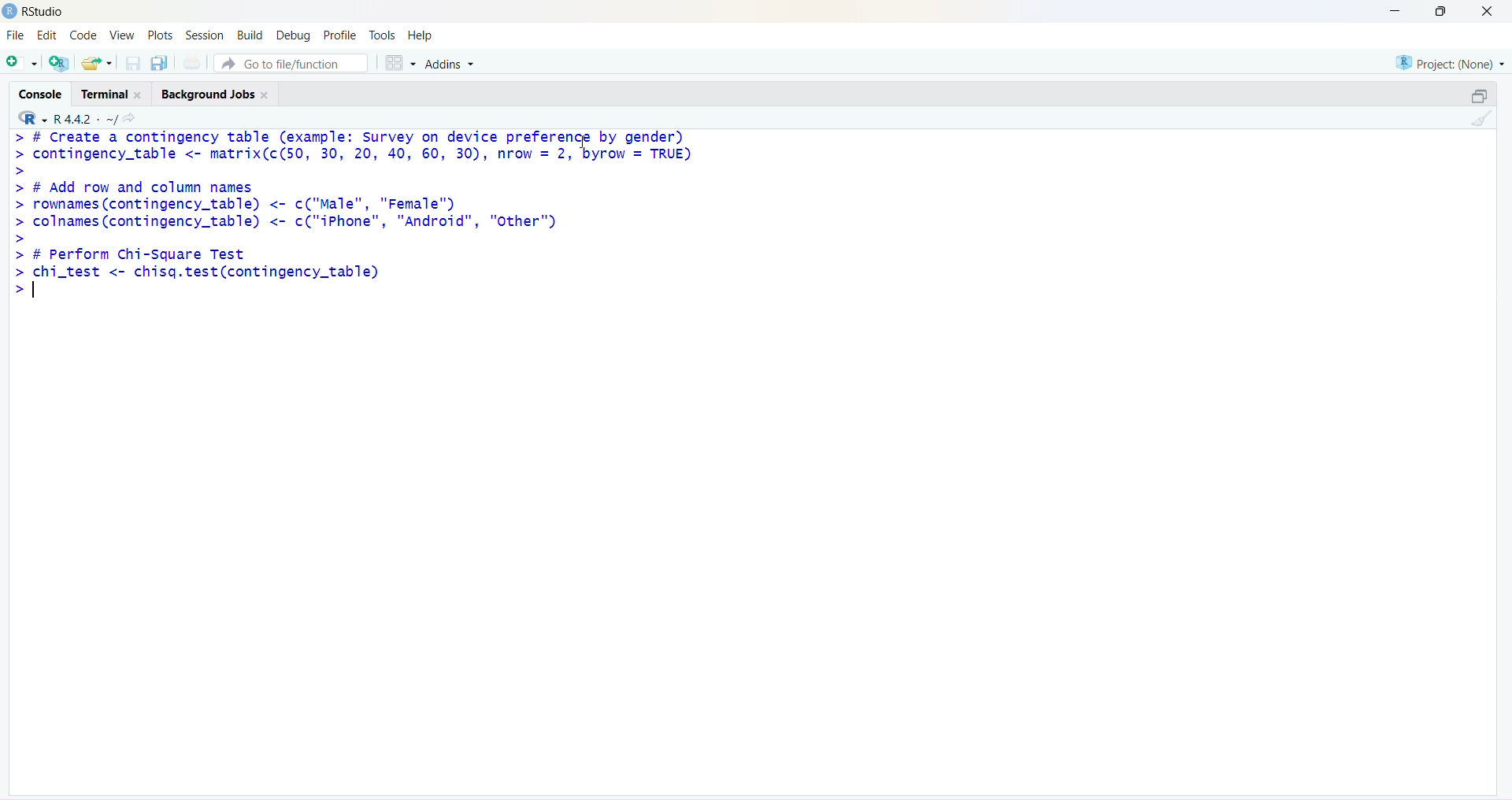 Image resolution: width=1512 pixels, height=800 pixels. I want to click on clean, so click(1484, 118).